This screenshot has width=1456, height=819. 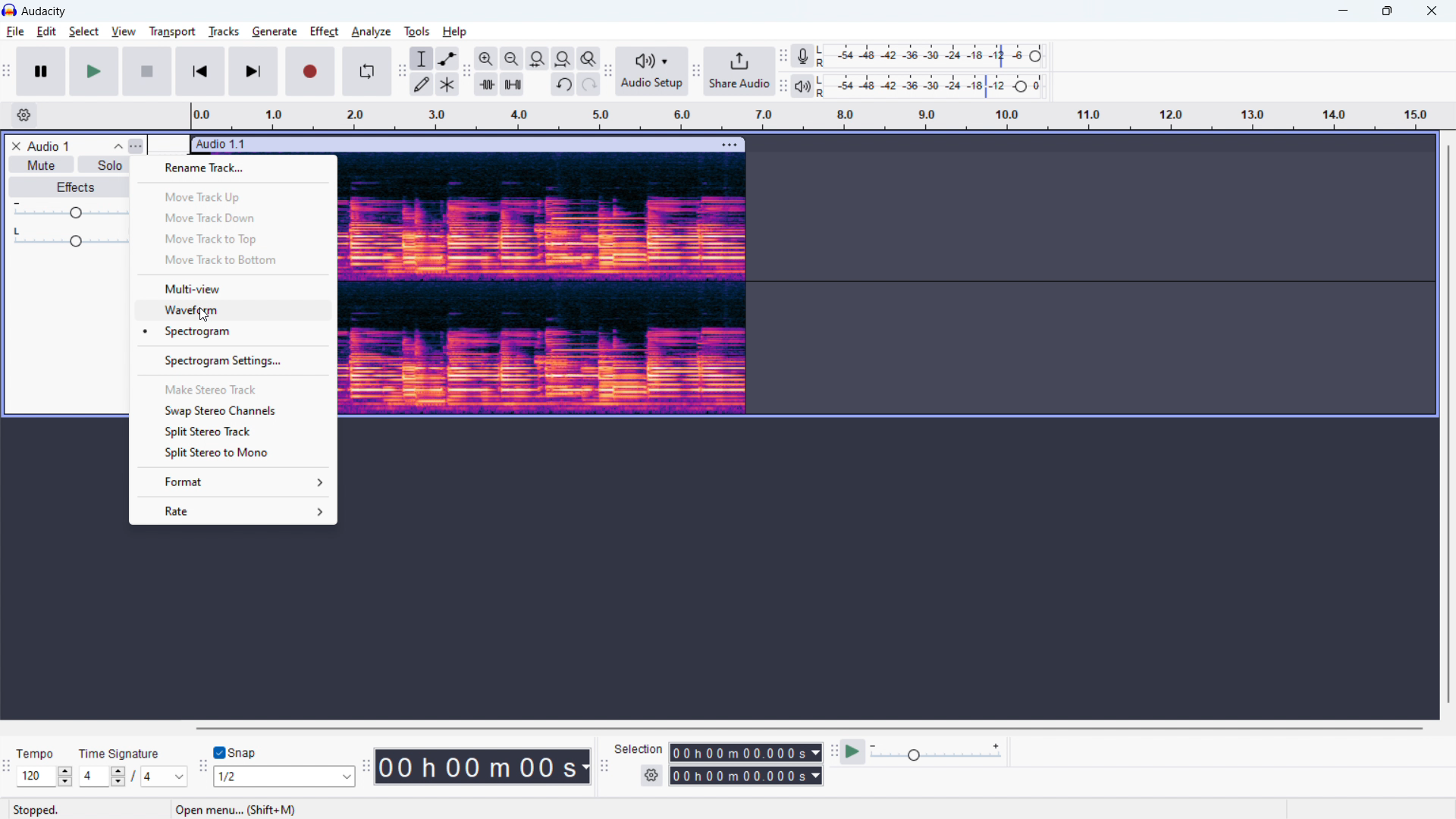 I want to click on move track to bottom, so click(x=234, y=261).